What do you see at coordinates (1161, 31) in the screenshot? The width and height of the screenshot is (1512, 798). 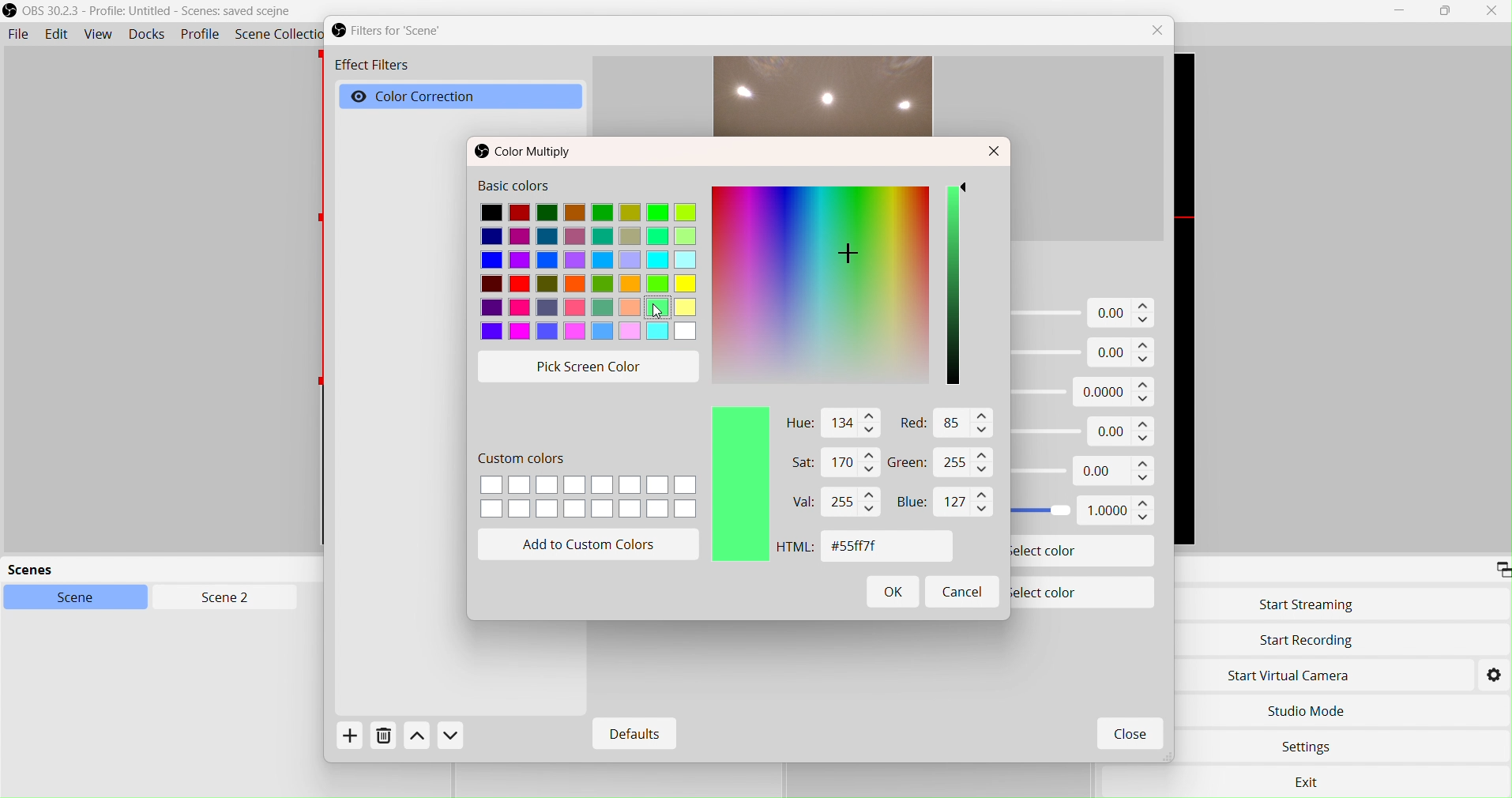 I see `Close` at bounding box center [1161, 31].